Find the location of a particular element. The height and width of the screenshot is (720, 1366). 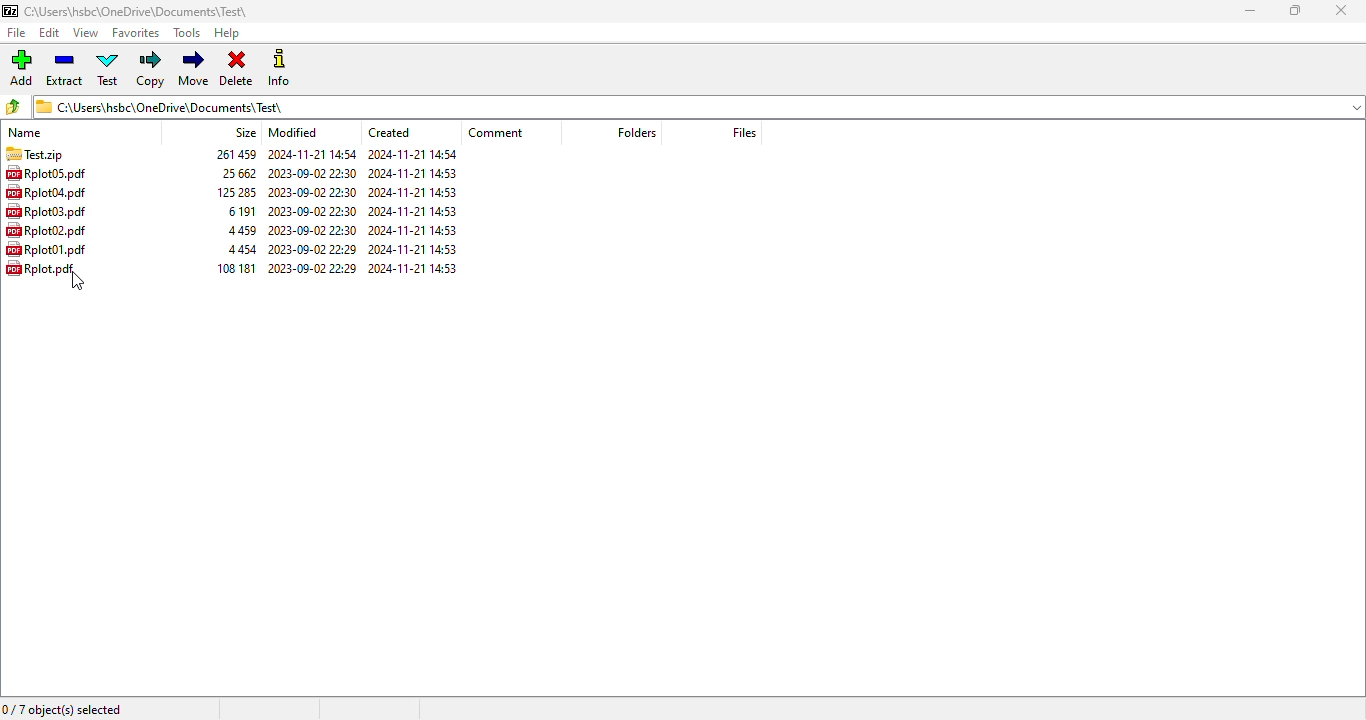

TEST.zip  is located at coordinates (32, 152).